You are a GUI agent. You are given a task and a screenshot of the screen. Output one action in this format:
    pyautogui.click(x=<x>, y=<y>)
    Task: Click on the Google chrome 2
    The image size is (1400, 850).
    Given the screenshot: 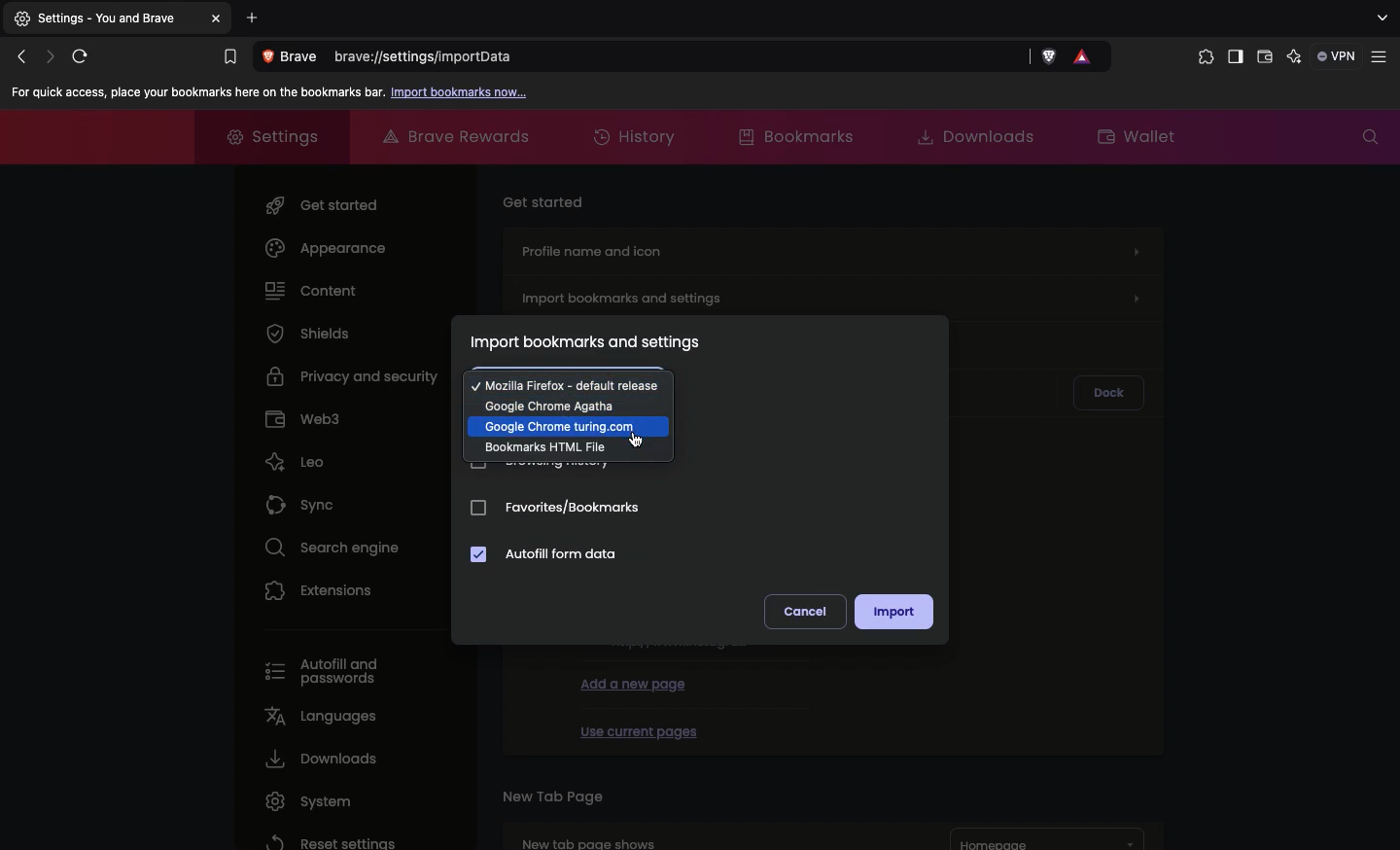 What is the action you would take?
    pyautogui.click(x=569, y=426)
    